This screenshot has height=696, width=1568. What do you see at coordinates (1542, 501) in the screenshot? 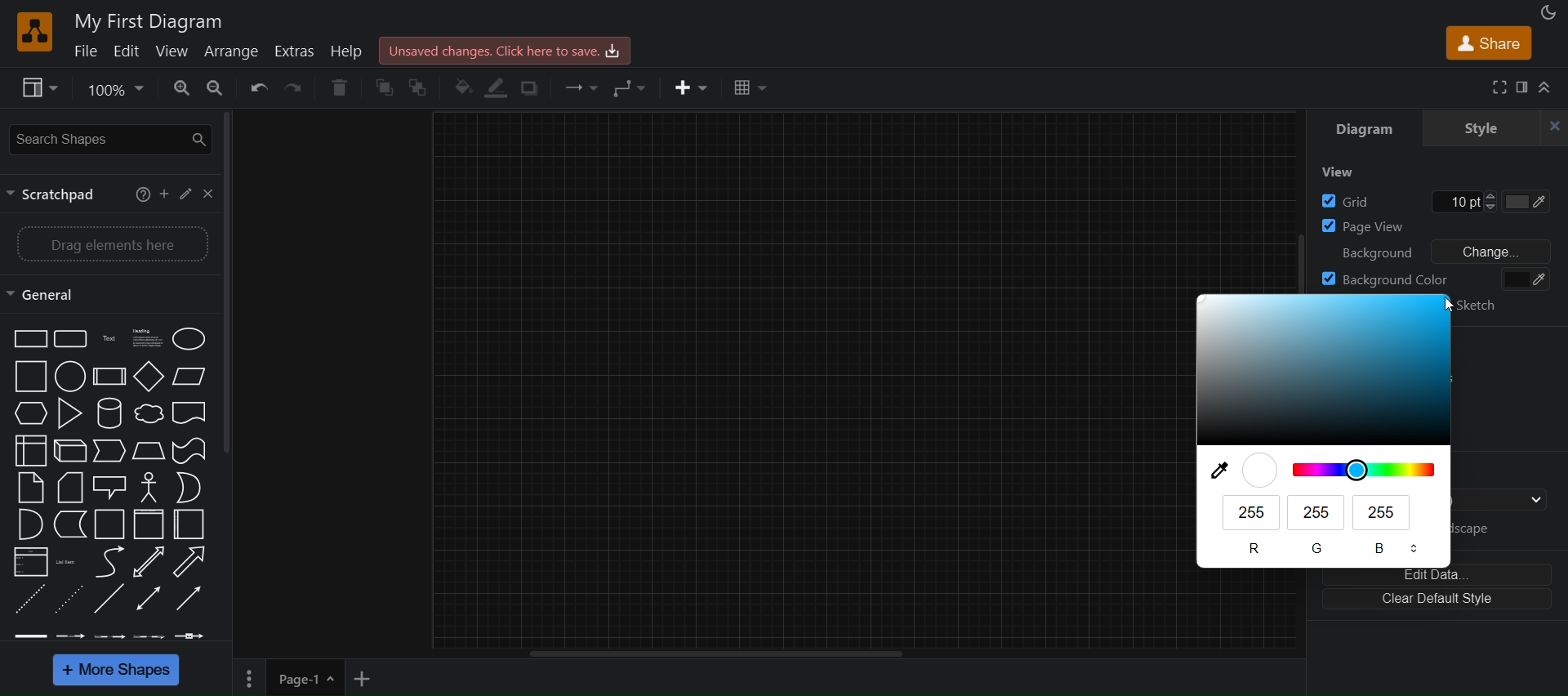
I see `drop down` at bounding box center [1542, 501].